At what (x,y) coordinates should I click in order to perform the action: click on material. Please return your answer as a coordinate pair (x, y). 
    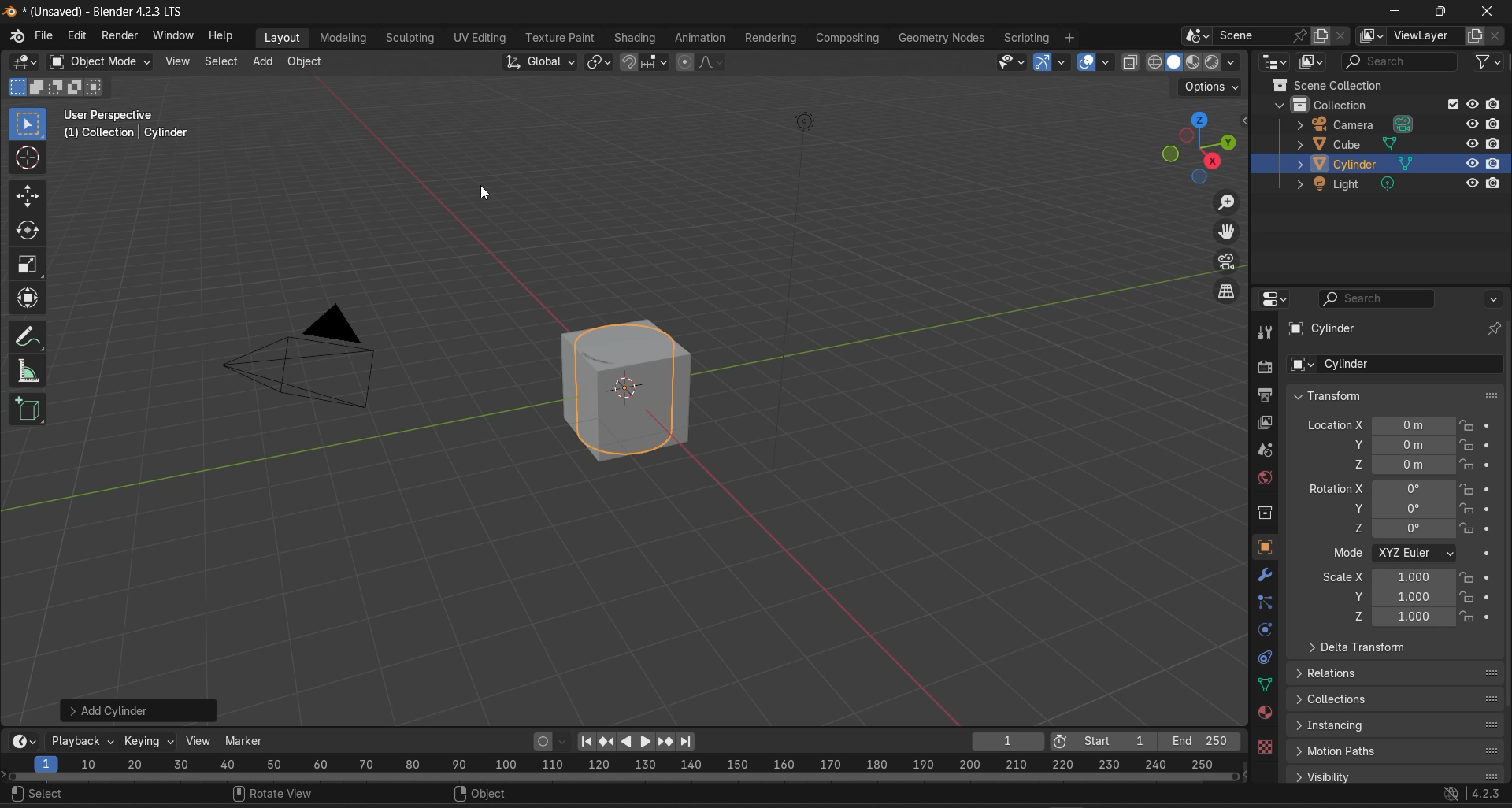
    Looking at the image, I should click on (1265, 712).